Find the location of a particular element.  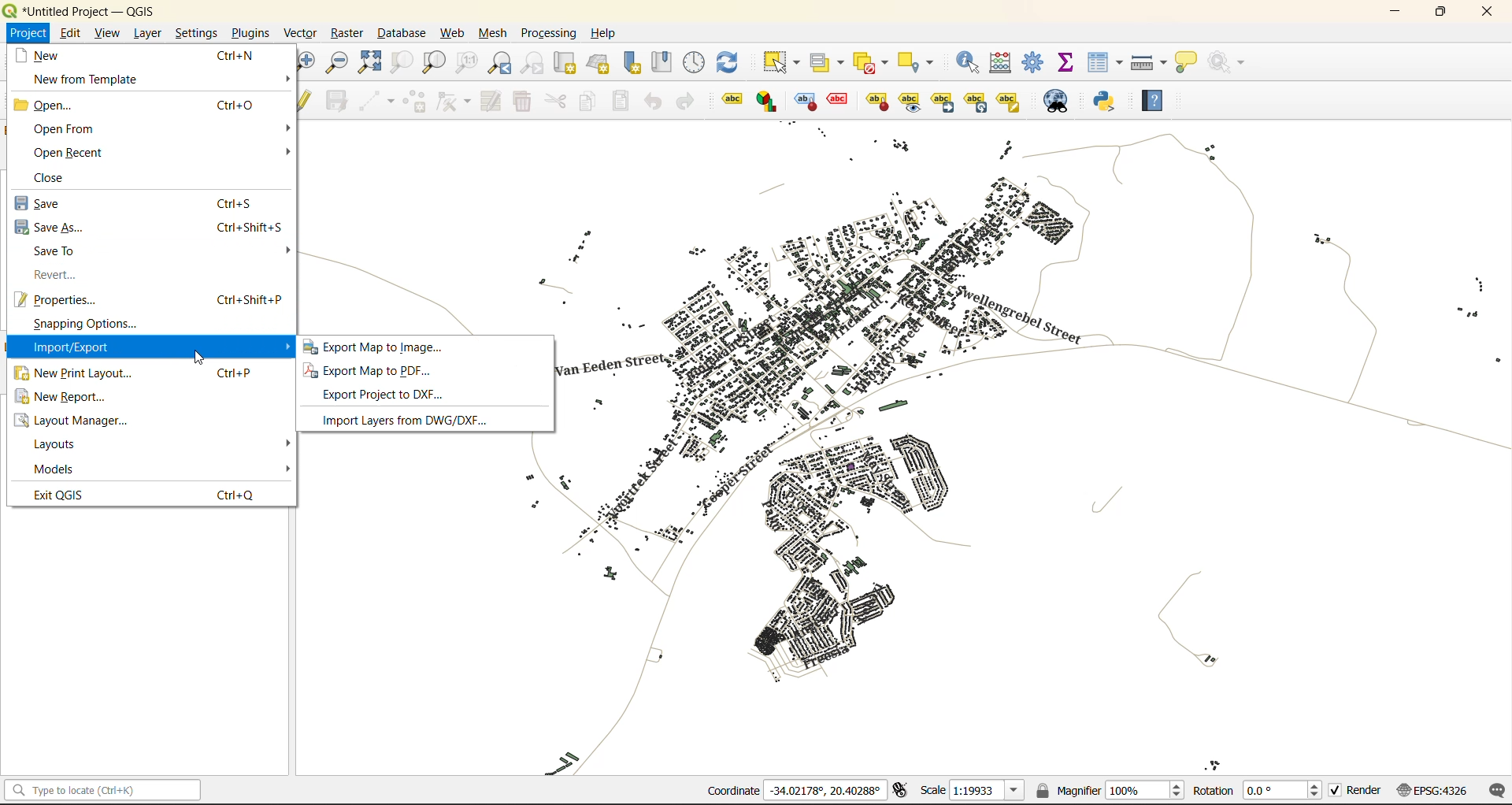

raster is located at coordinates (346, 32).